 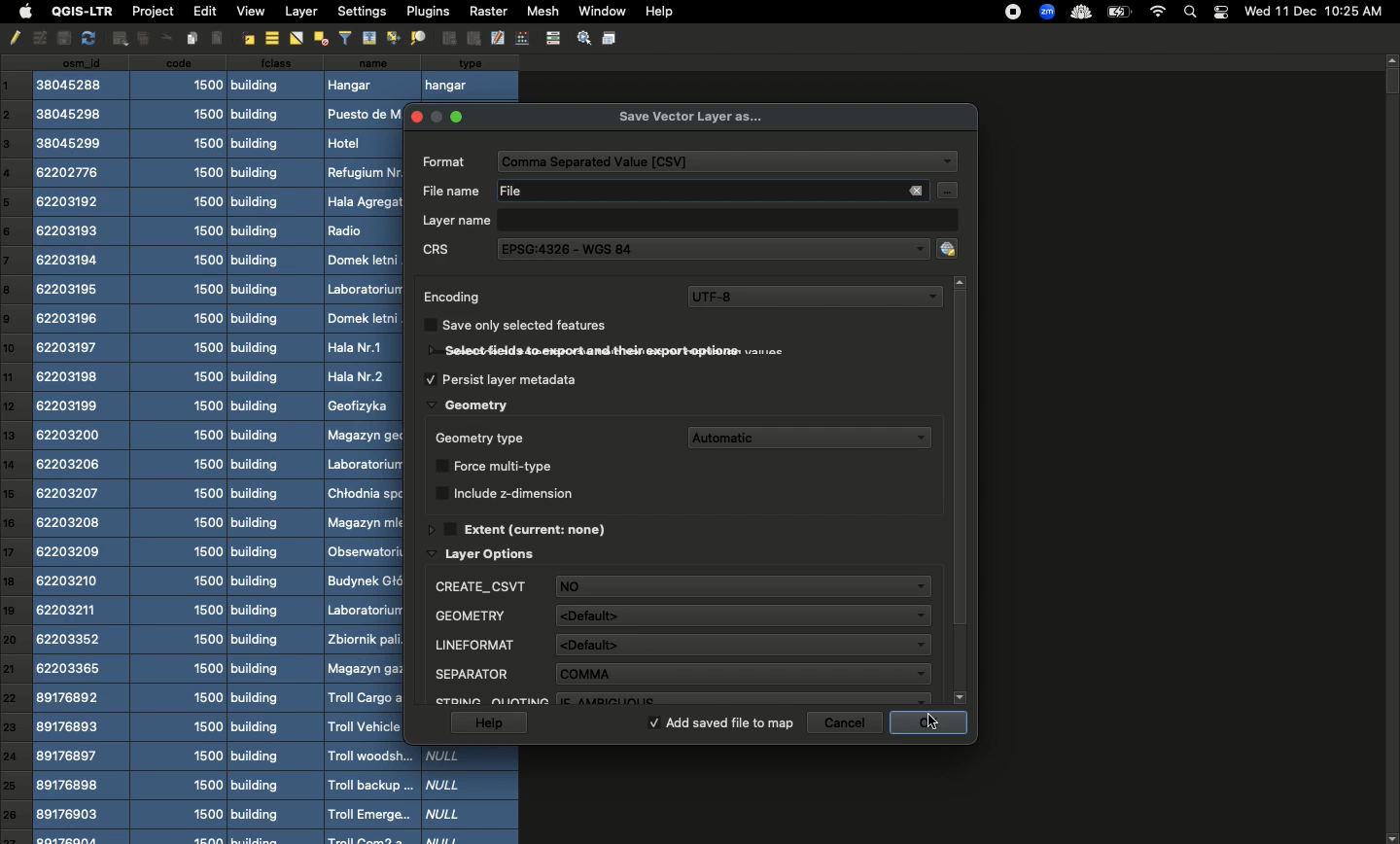 I want to click on type, so click(x=472, y=77).